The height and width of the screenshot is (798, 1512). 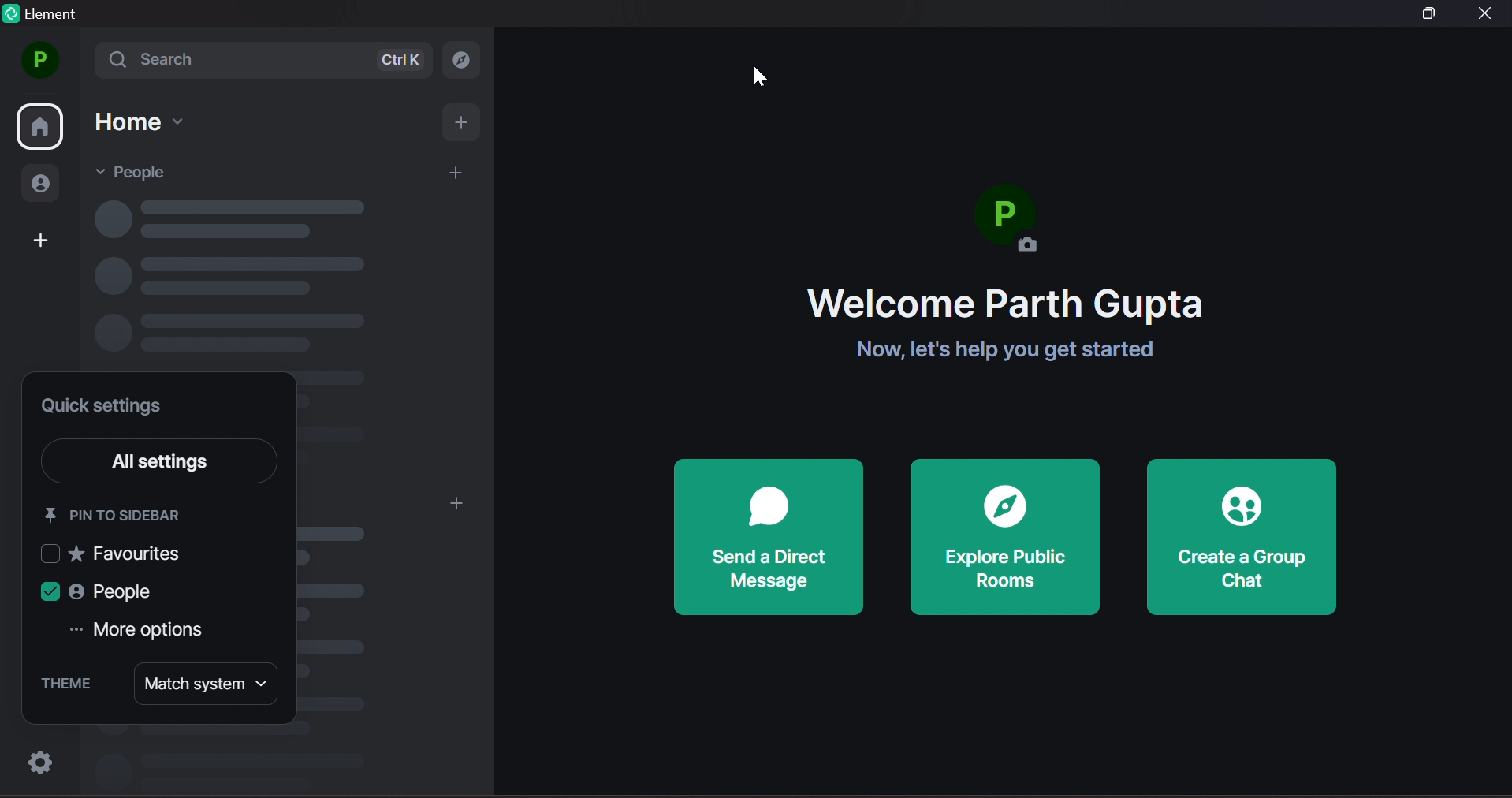 I want to click on welcome parth gupta, so click(x=1006, y=304).